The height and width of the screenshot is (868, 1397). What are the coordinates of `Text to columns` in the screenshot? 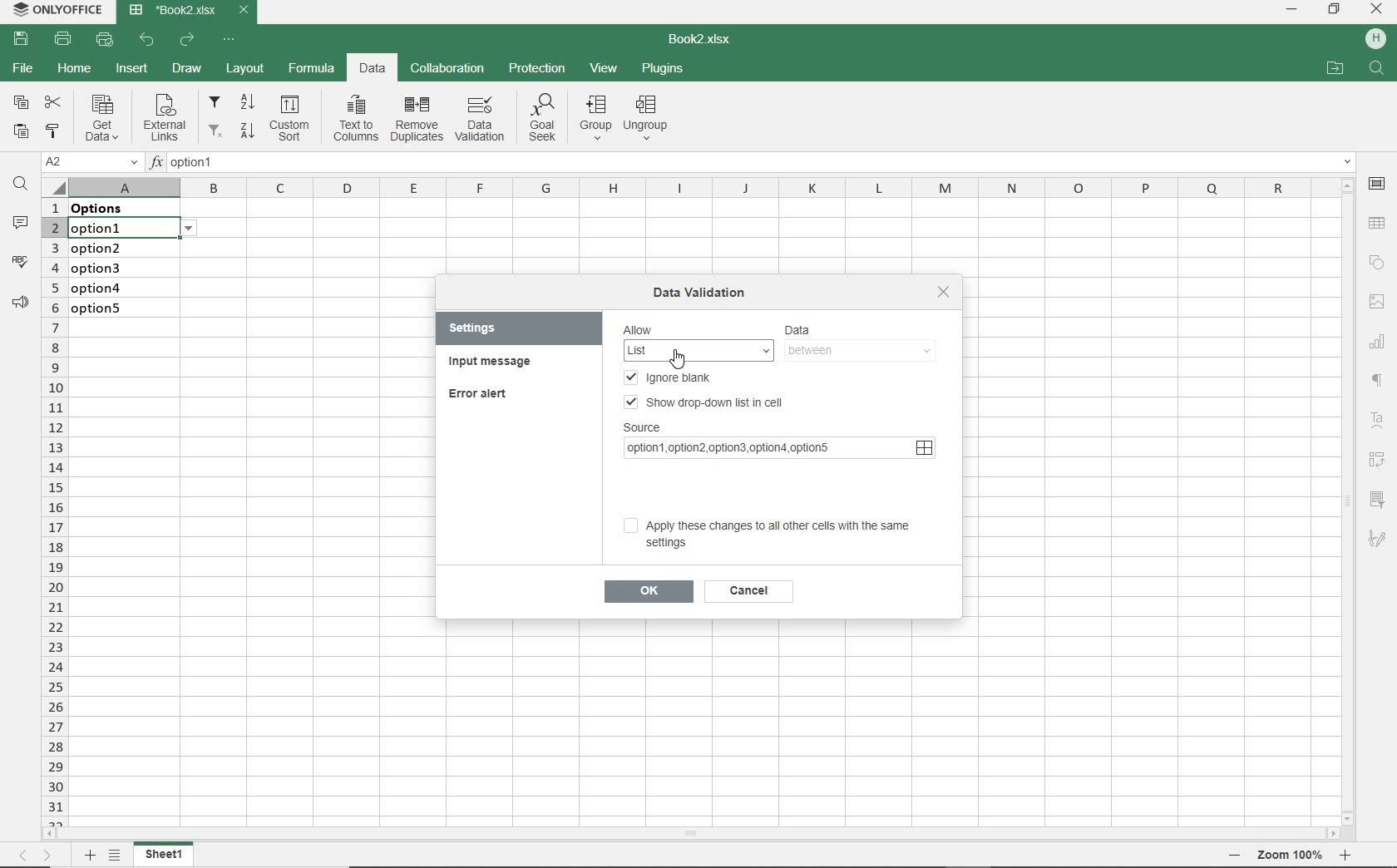 It's located at (356, 116).